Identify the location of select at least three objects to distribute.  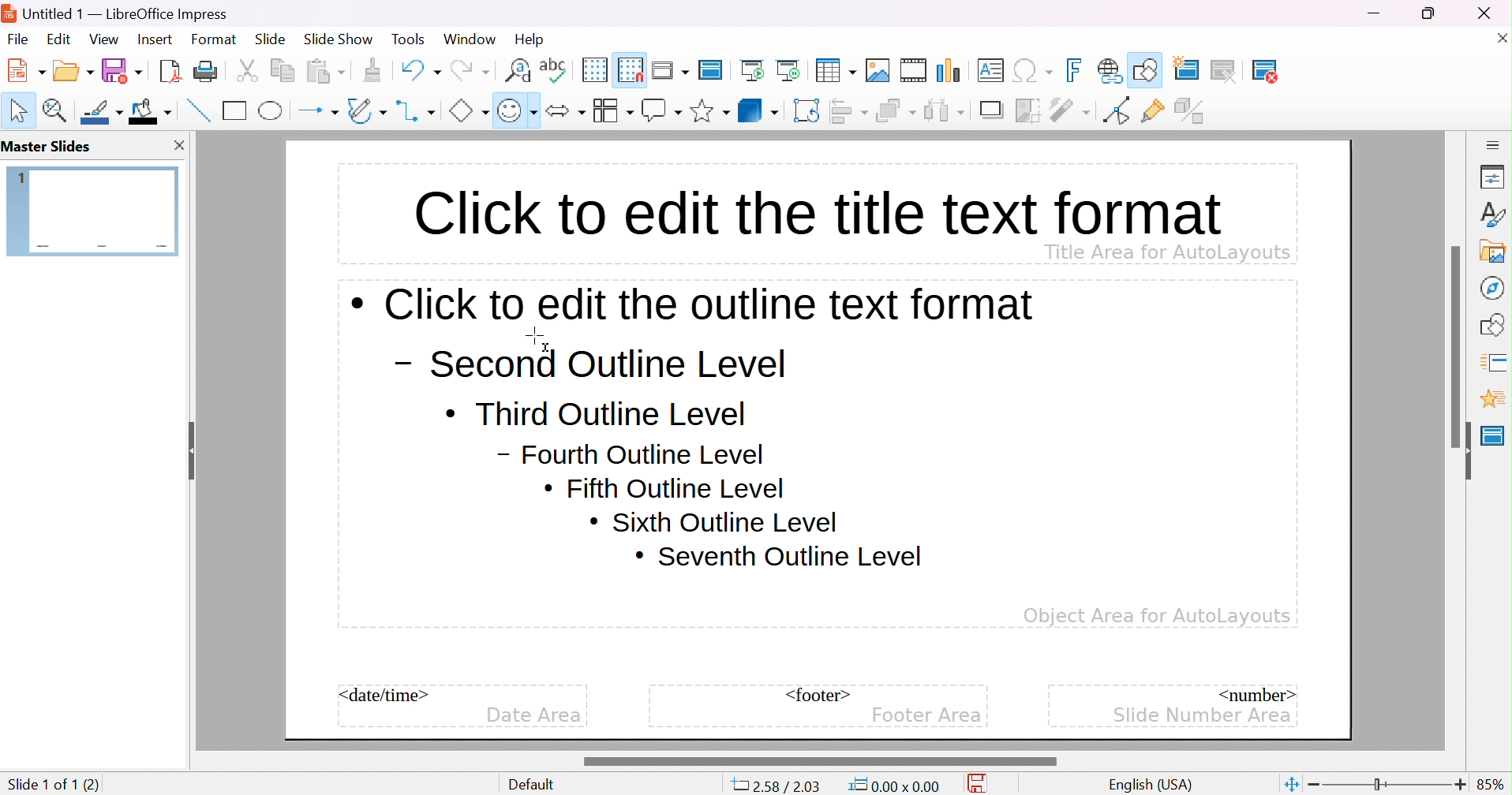
(945, 110).